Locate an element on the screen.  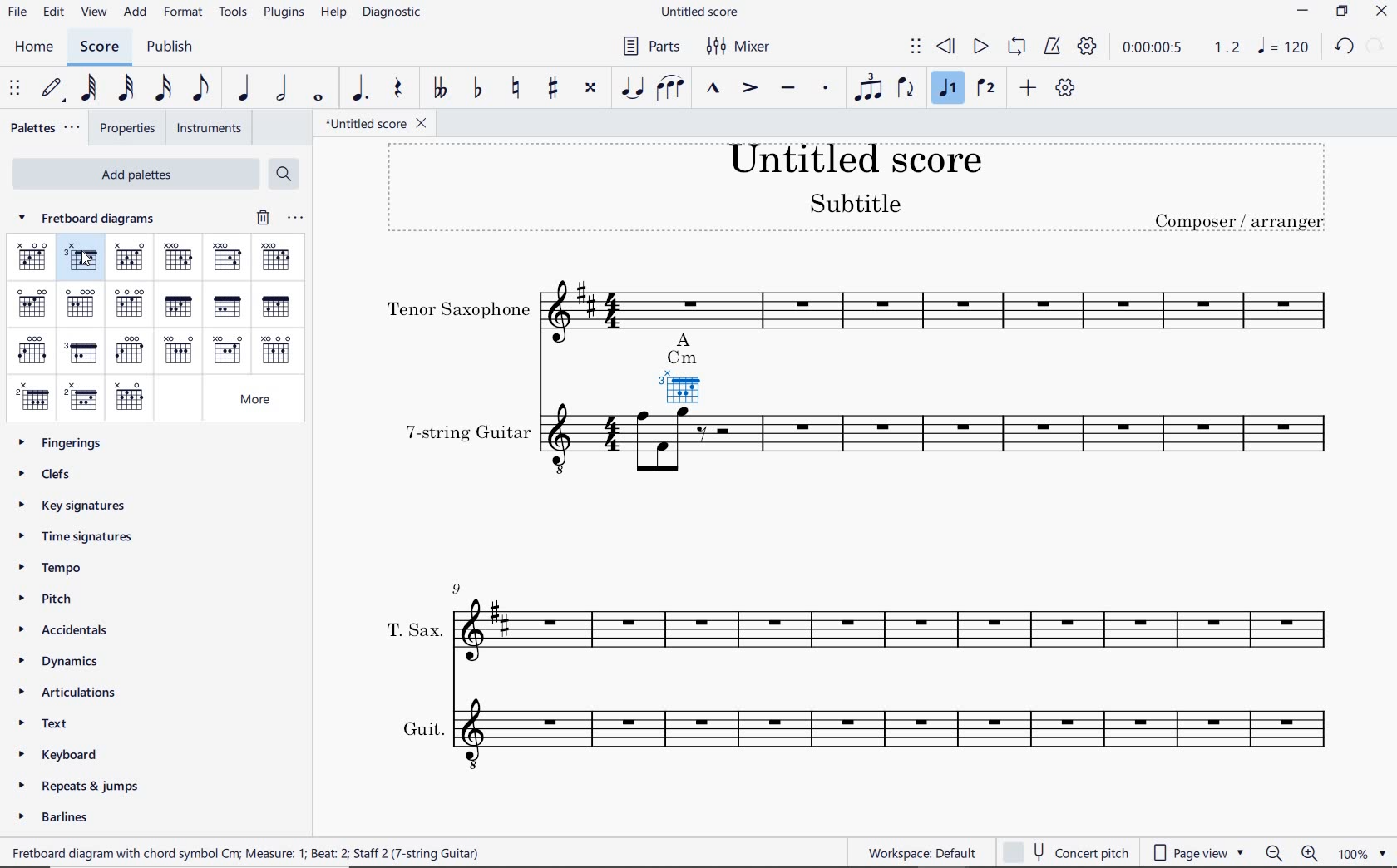
VOICE 1 is located at coordinates (946, 89).